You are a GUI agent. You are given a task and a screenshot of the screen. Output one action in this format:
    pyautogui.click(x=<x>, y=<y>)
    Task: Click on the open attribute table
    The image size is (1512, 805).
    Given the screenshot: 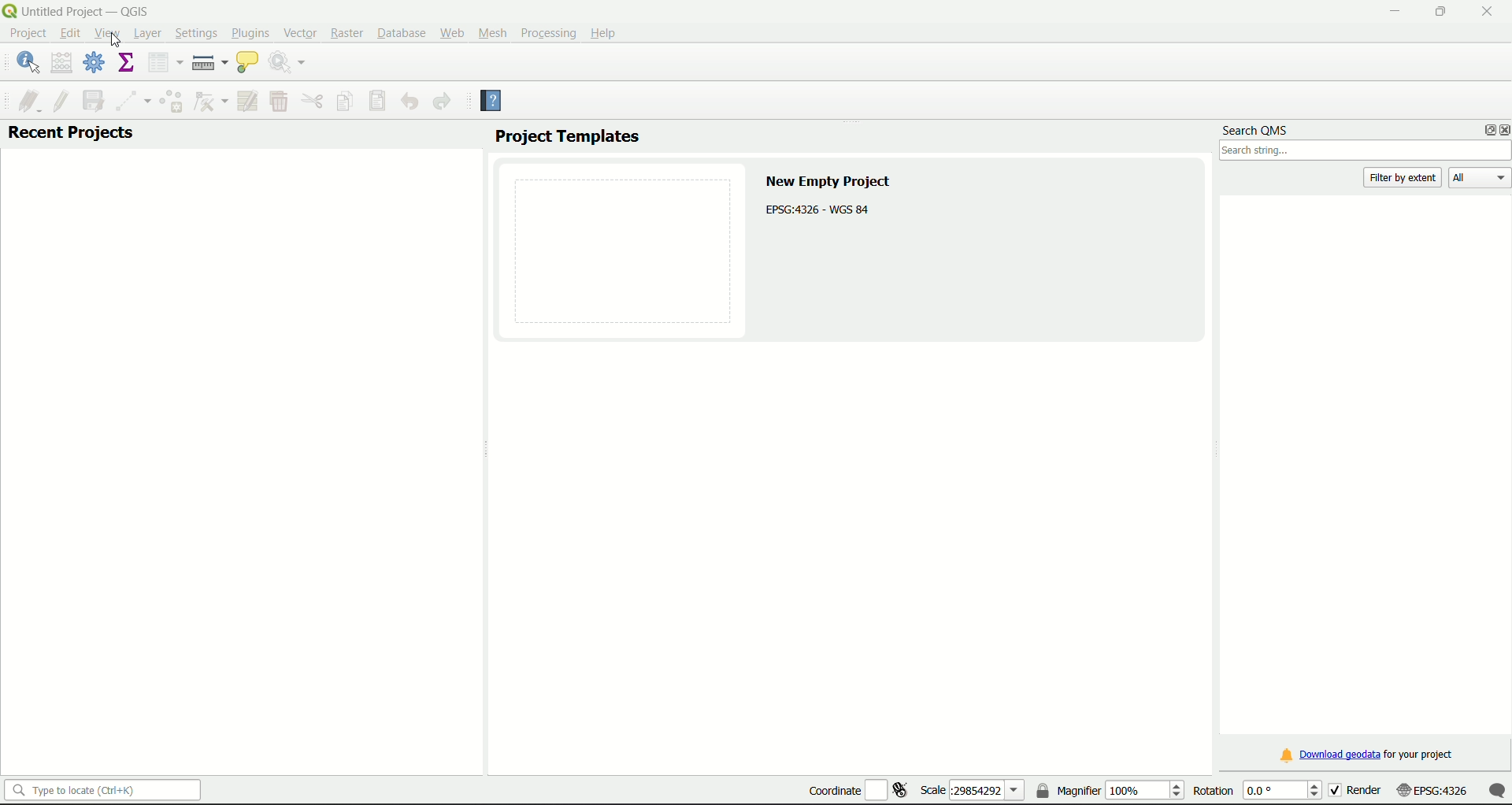 What is the action you would take?
    pyautogui.click(x=163, y=63)
    